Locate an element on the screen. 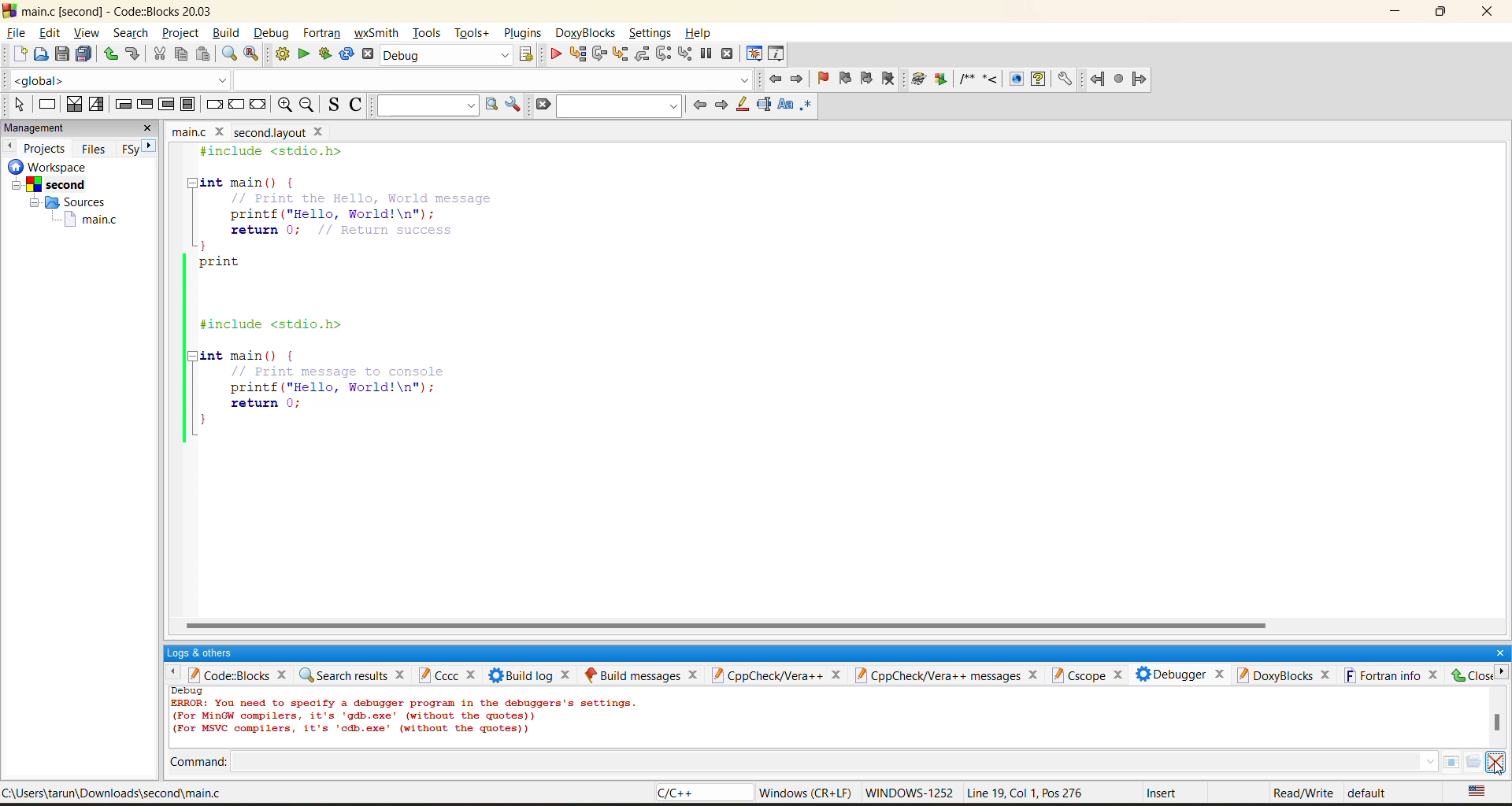 The width and height of the screenshot is (1512, 806). jump back is located at coordinates (780, 78).